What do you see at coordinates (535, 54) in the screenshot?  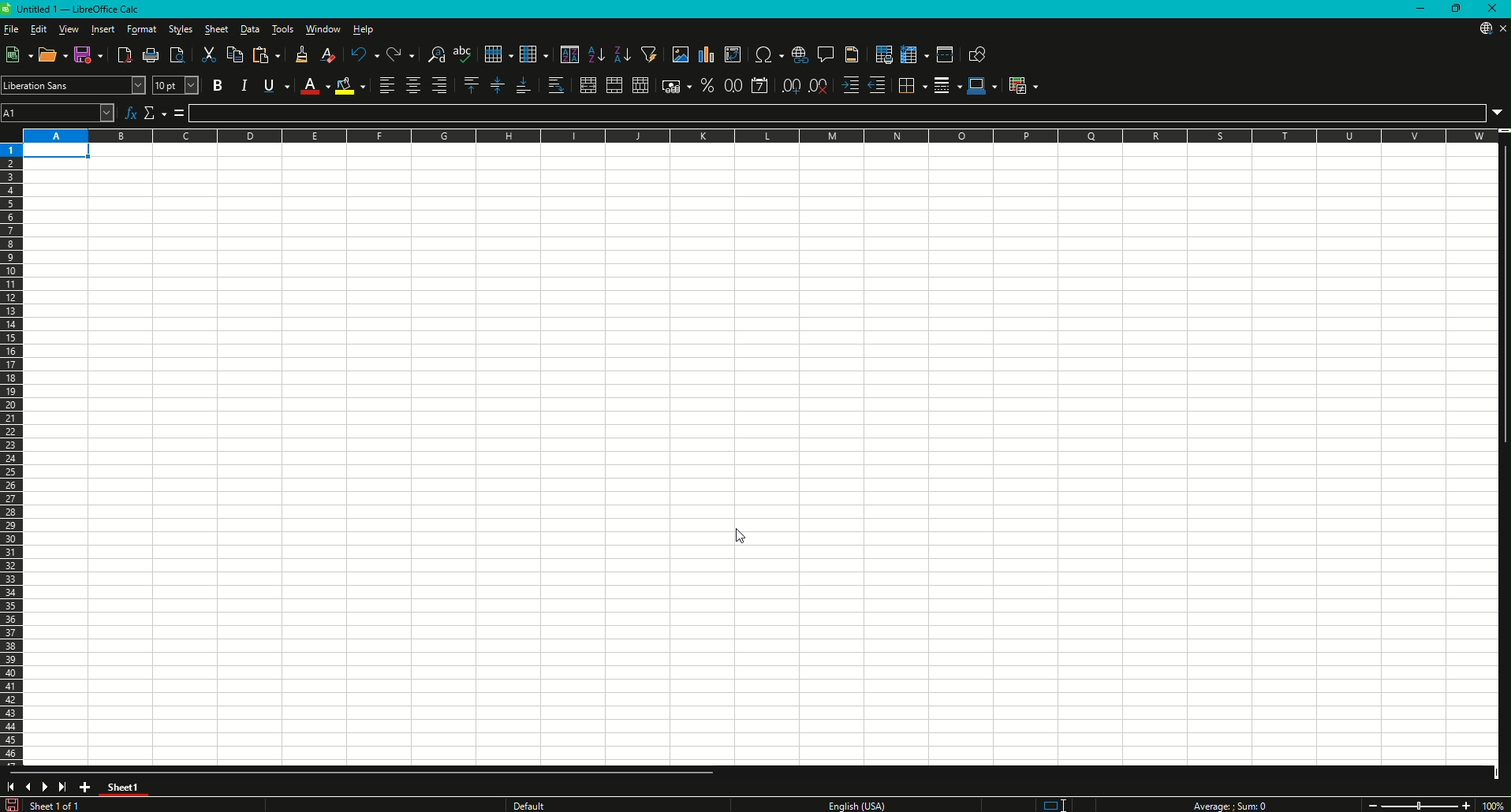 I see `Column` at bounding box center [535, 54].